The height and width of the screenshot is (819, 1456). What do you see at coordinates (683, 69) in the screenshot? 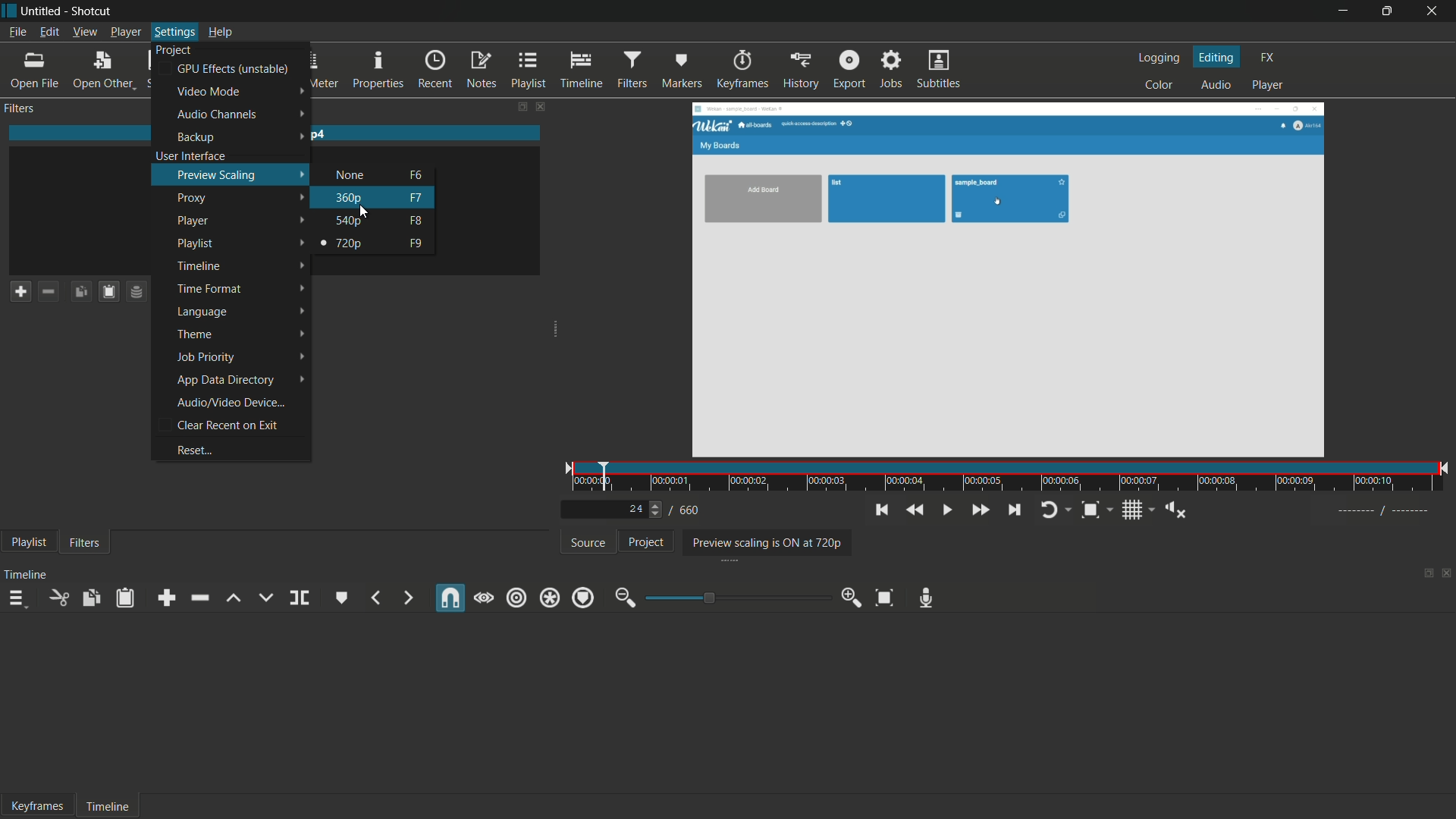
I see `markers` at bounding box center [683, 69].